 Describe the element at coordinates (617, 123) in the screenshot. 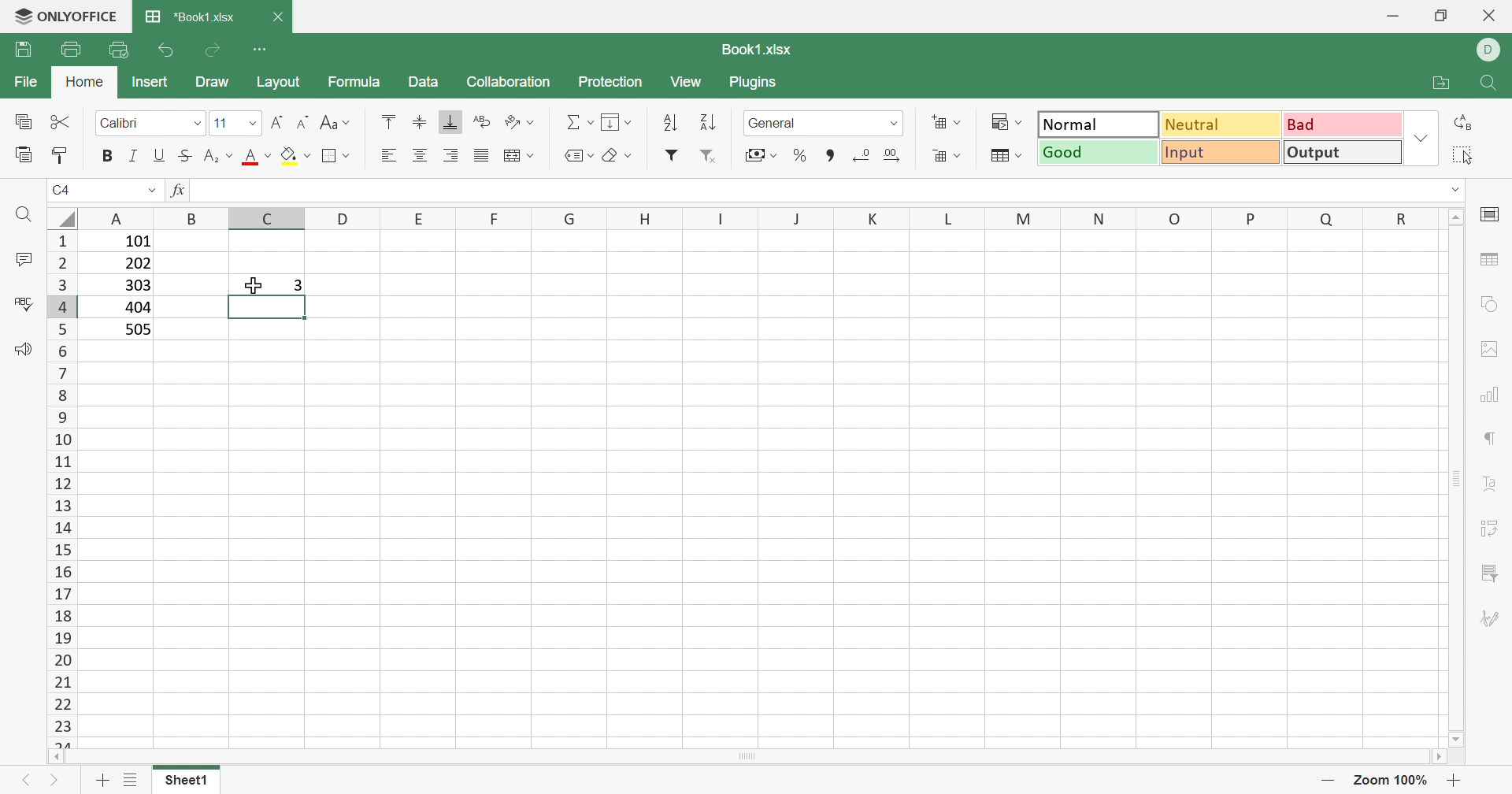

I see `Fill` at that location.